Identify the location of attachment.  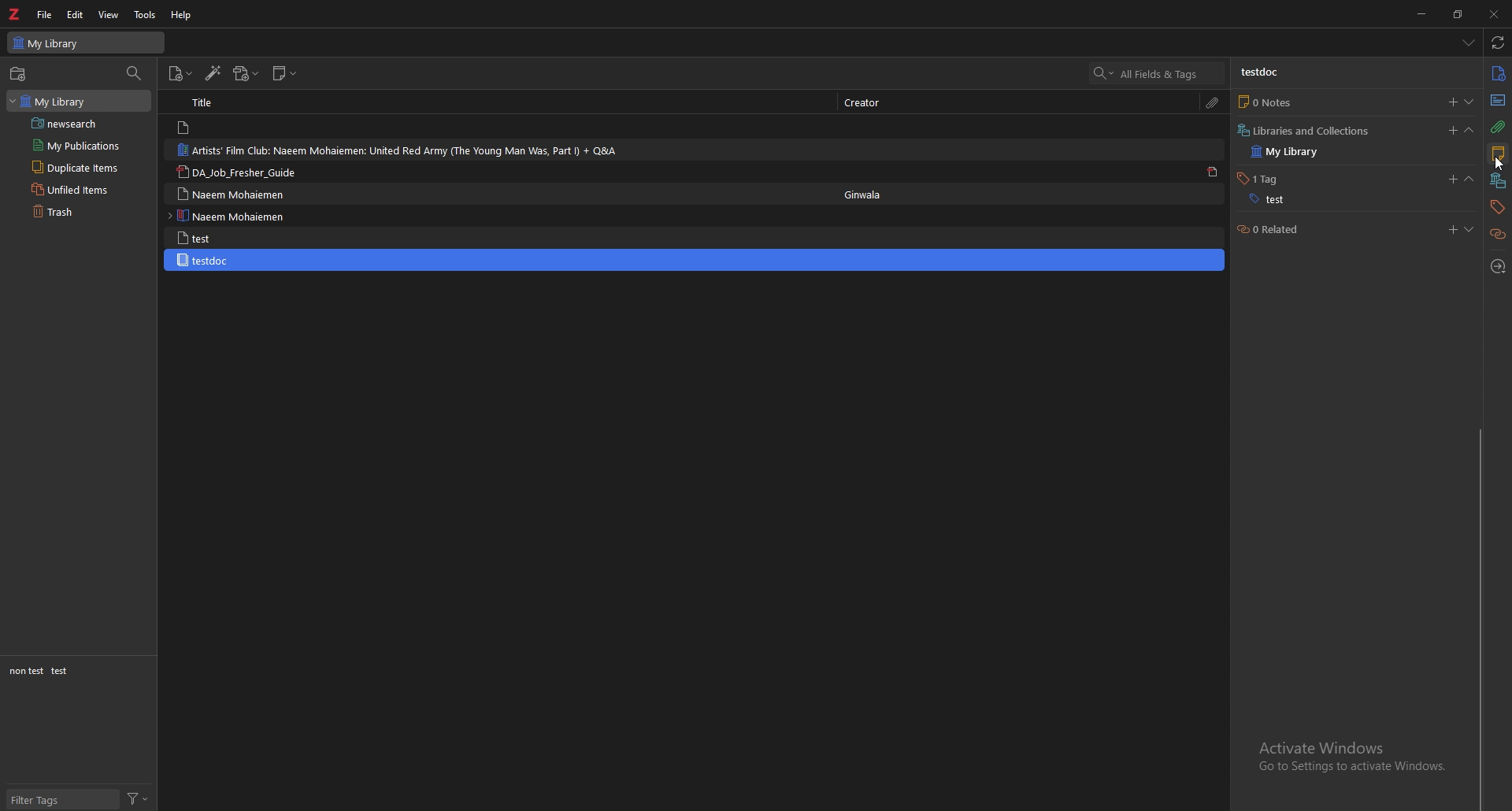
(1214, 102).